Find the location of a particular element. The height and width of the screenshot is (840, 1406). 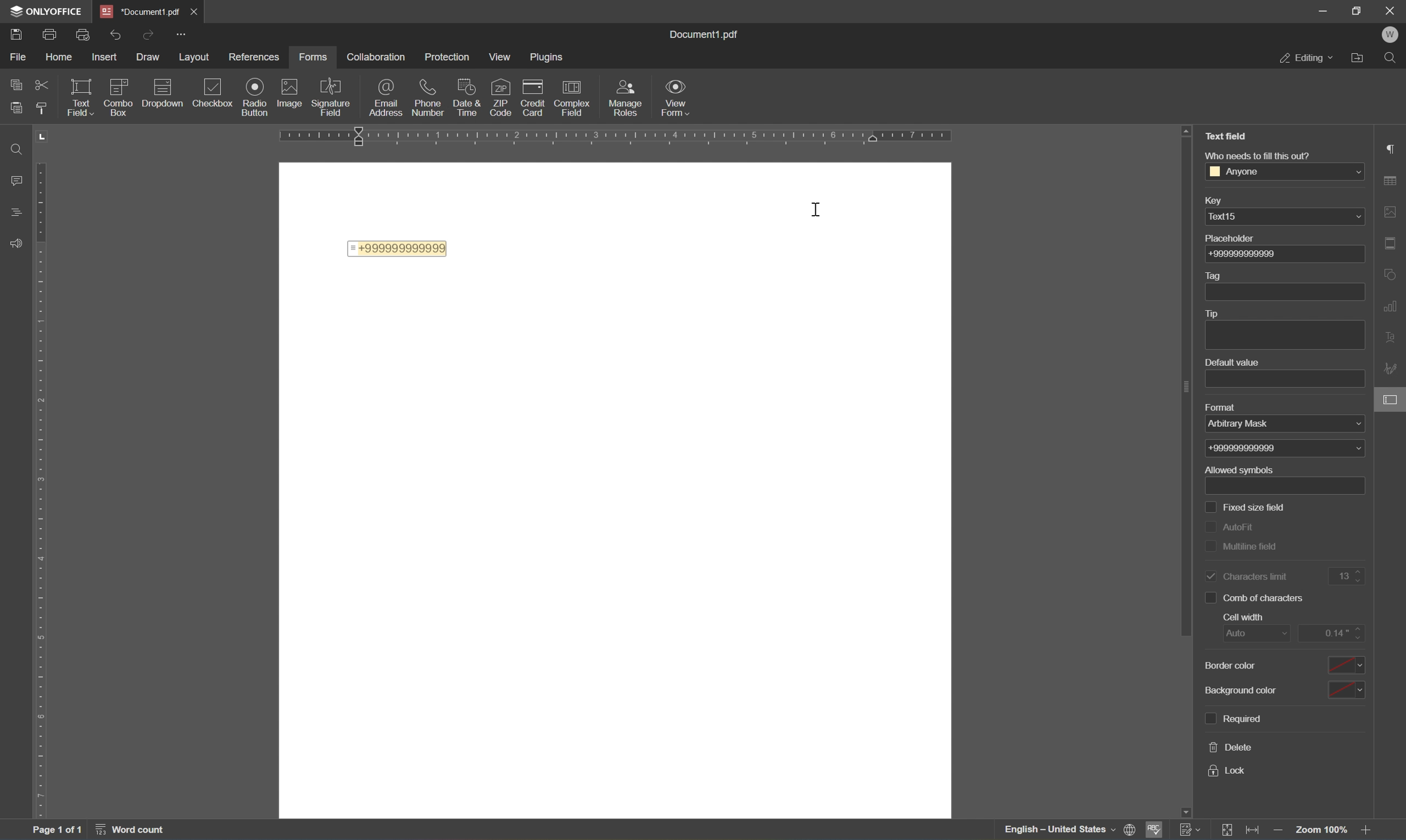

header and footer settings is located at coordinates (1394, 247).